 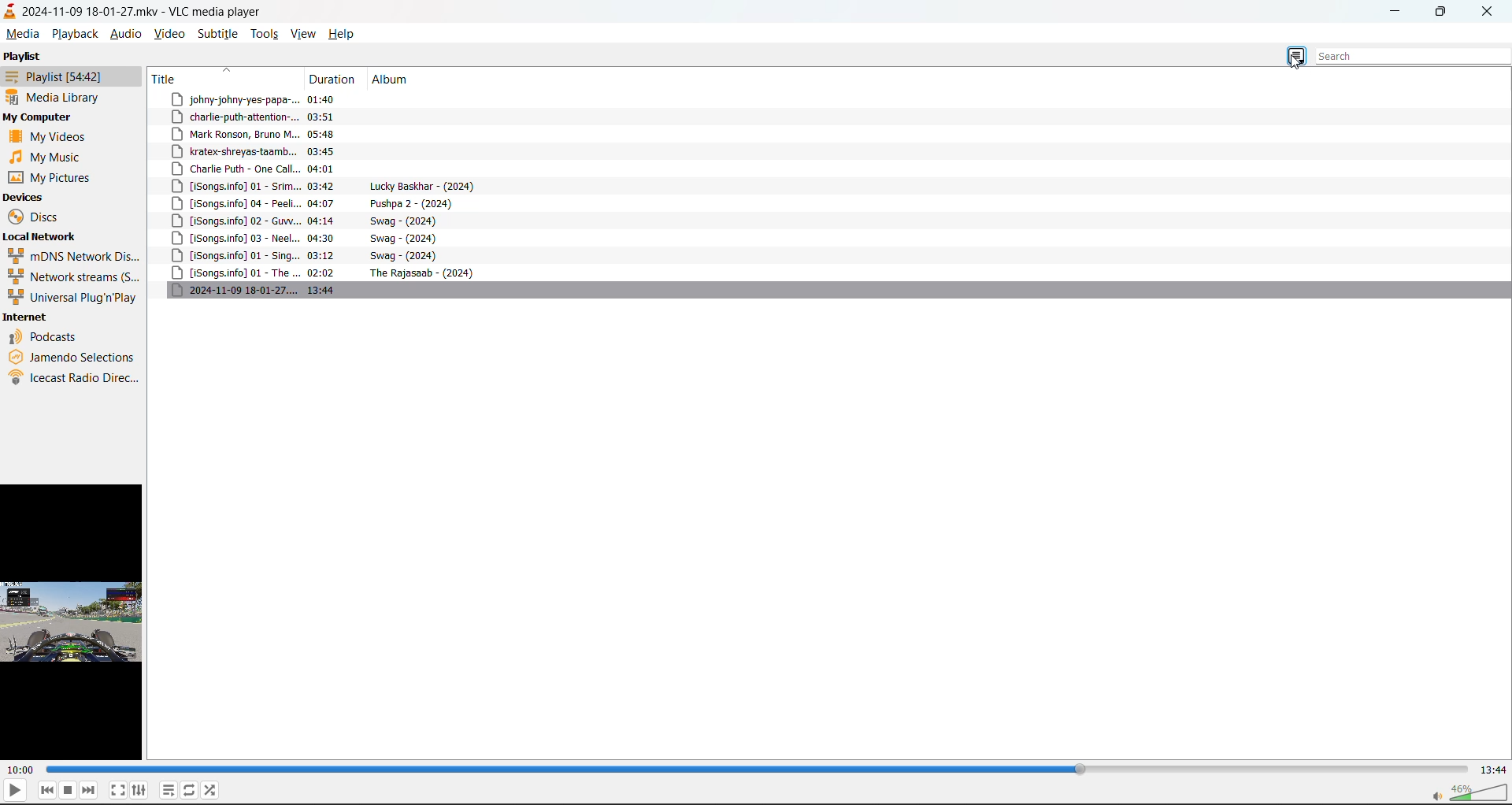 I want to click on playlist, so click(x=27, y=56).